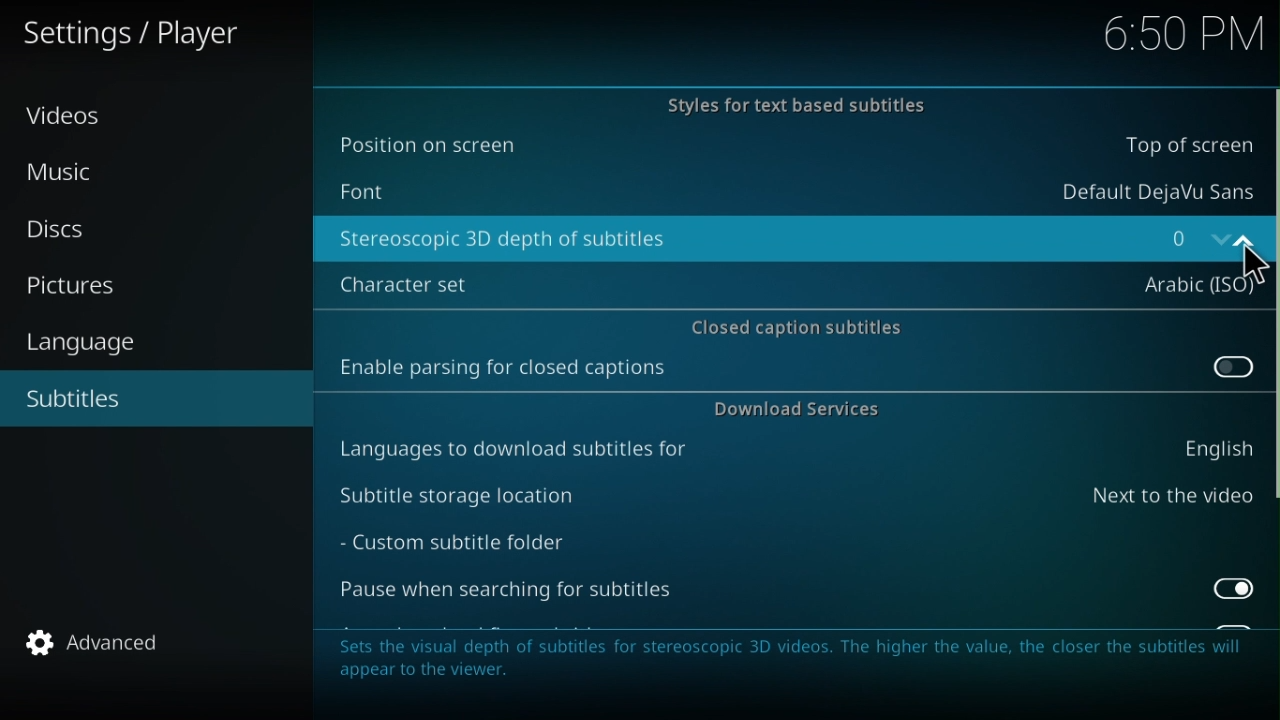  What do you see at coordinates (794, 451) in the screenshot?
I see `Languages to download subtitles for` at bounding box center [794, 451].